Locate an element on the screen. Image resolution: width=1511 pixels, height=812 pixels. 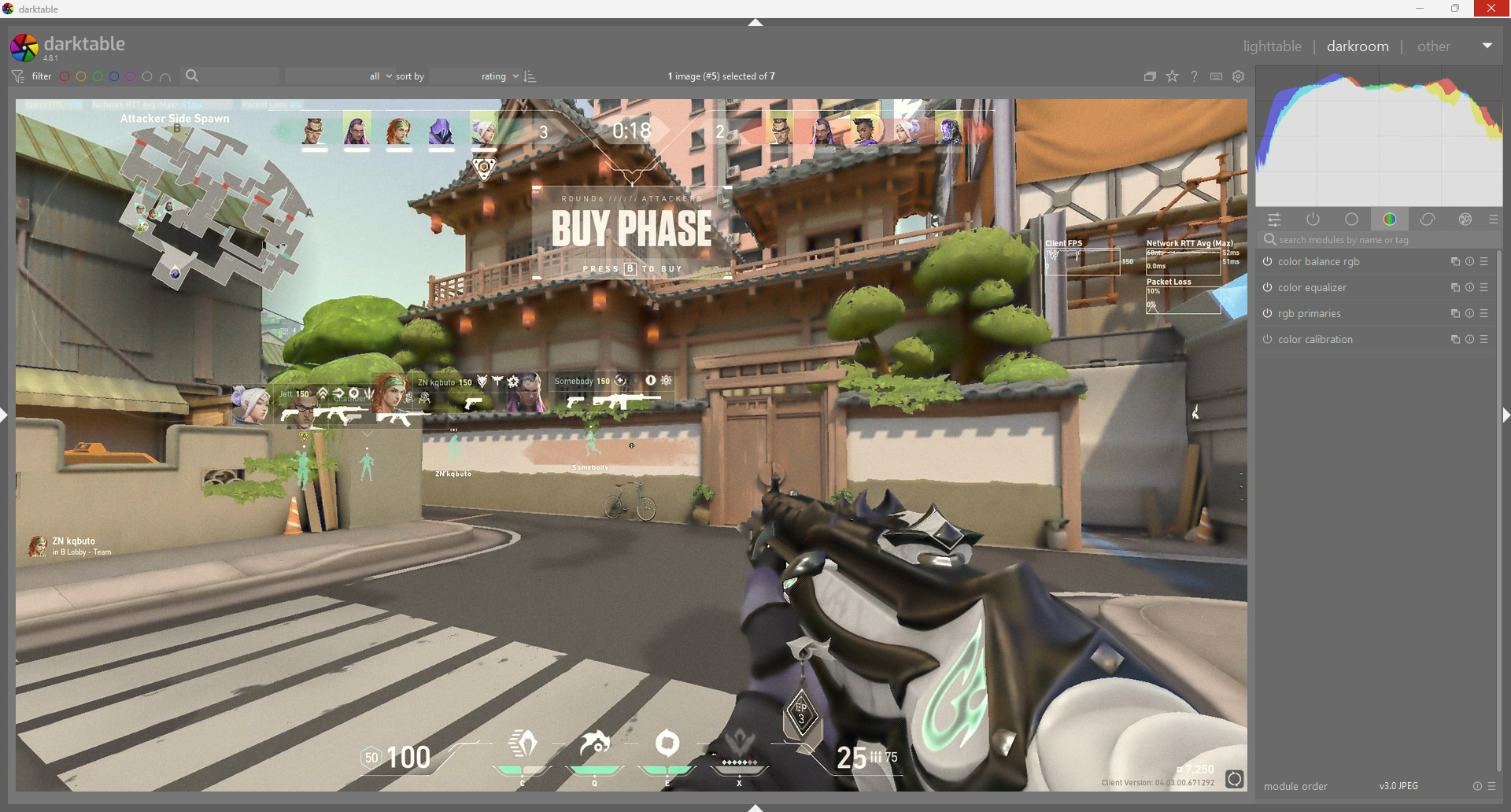
filter is located at coordinates (33, 76).